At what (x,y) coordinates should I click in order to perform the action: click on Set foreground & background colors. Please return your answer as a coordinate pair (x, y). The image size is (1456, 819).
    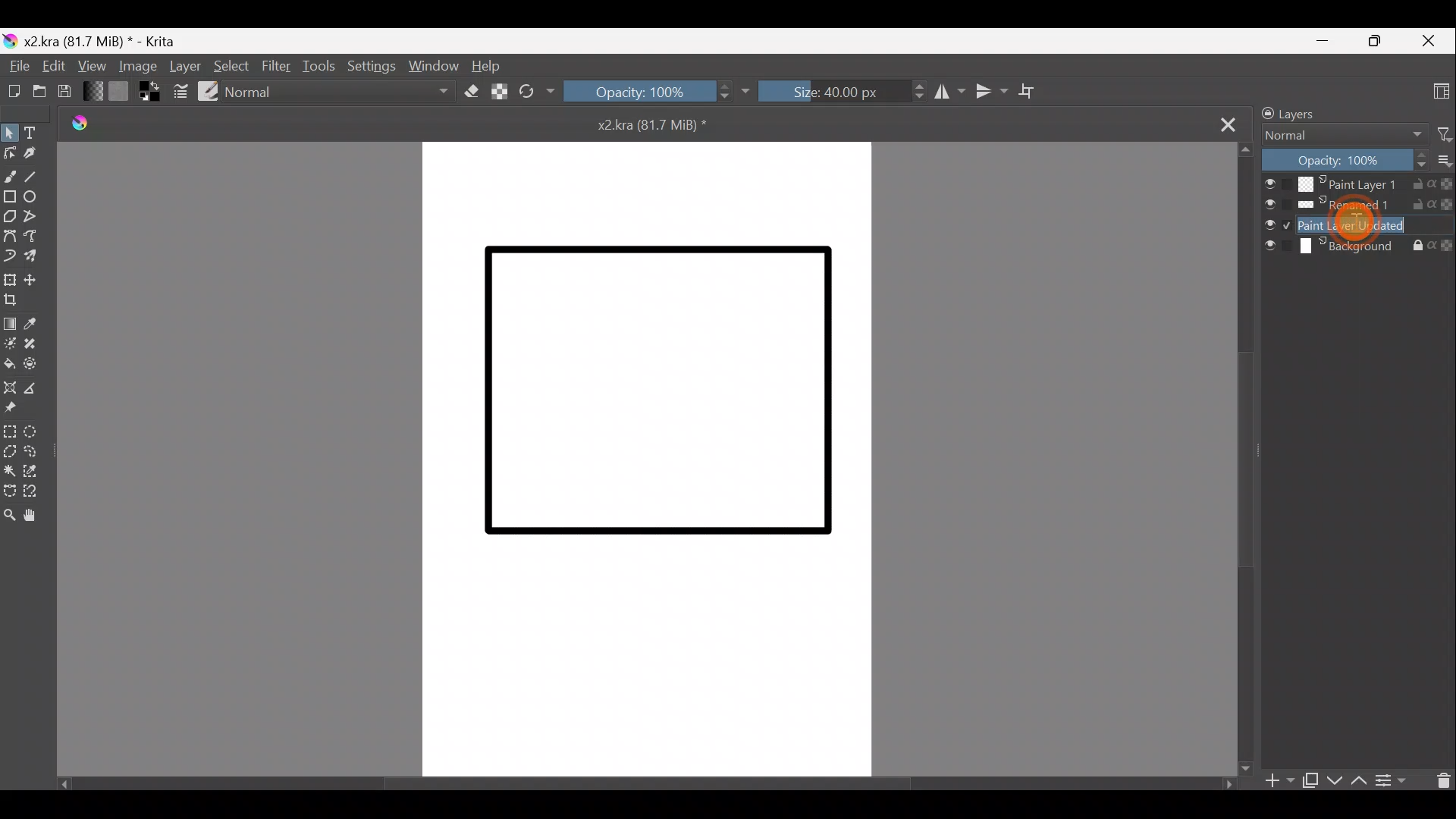
    Looking at the image, I should click on (146, 93).